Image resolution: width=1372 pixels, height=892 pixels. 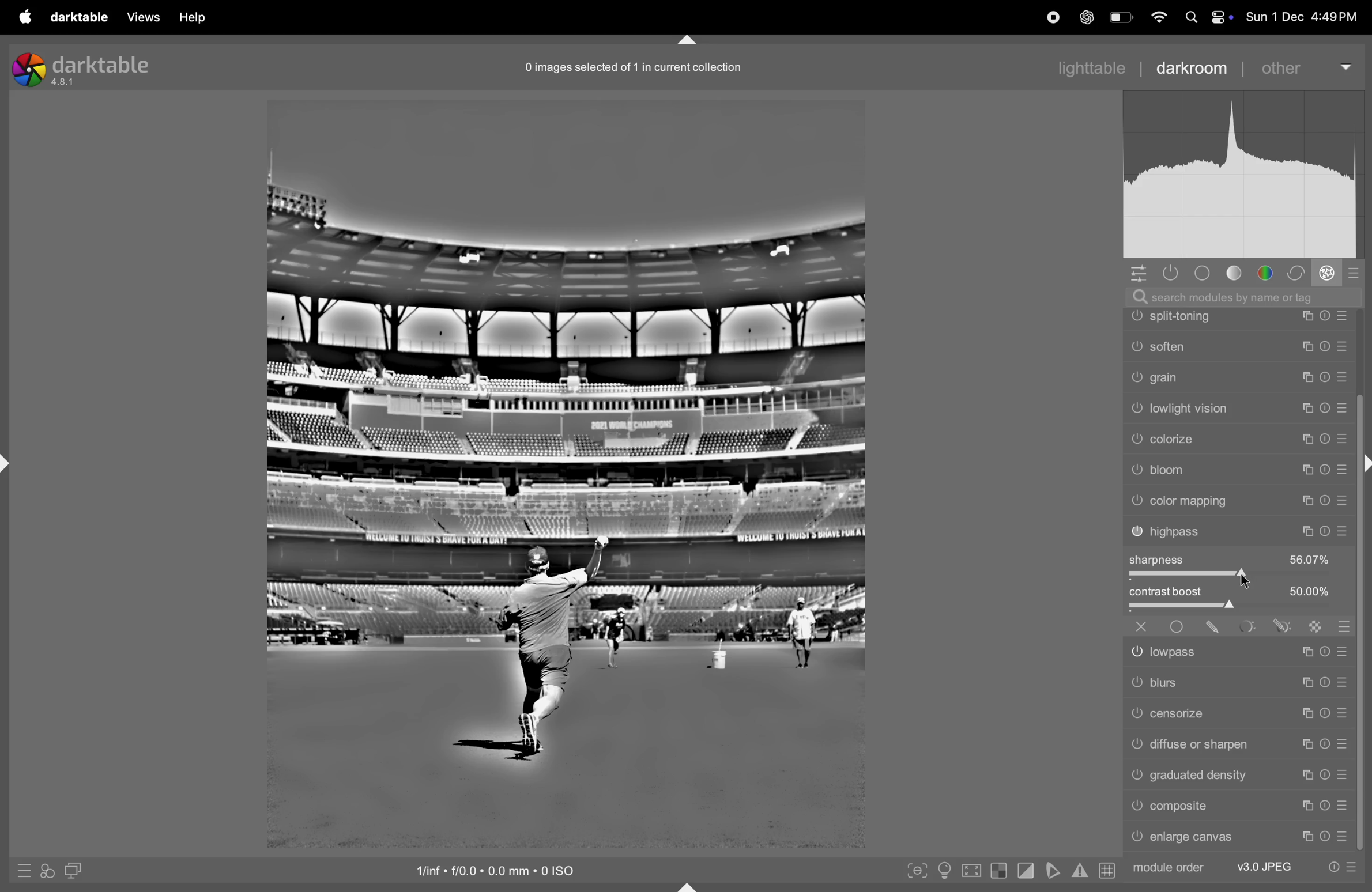 What do you see at coordinates (1051, 871) in the screenshot?
I see `toggle softproffing` at bounding box center [1051, 871].